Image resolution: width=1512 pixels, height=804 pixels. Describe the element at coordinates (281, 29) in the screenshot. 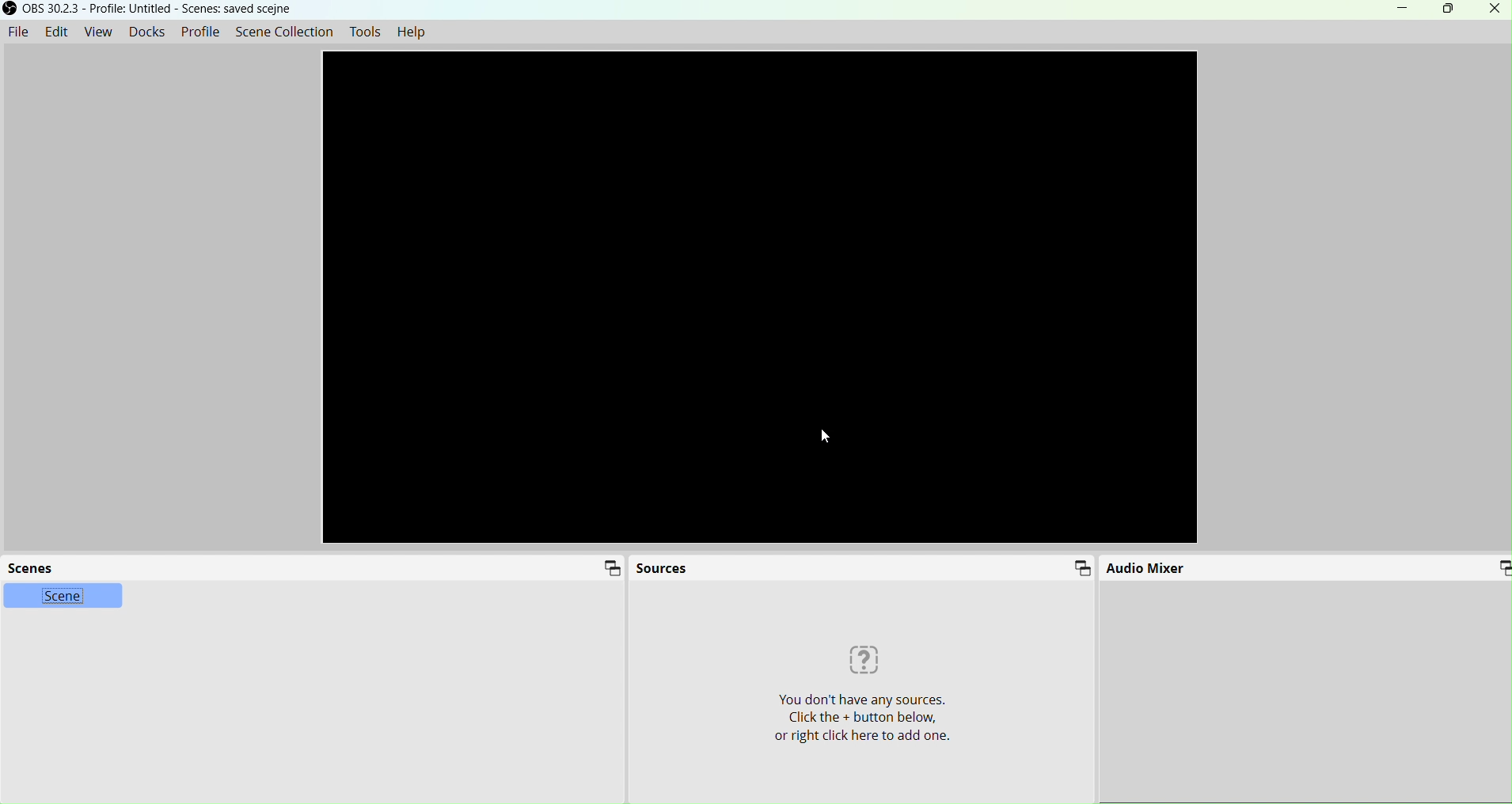

I see `Scene Collection` at that location.